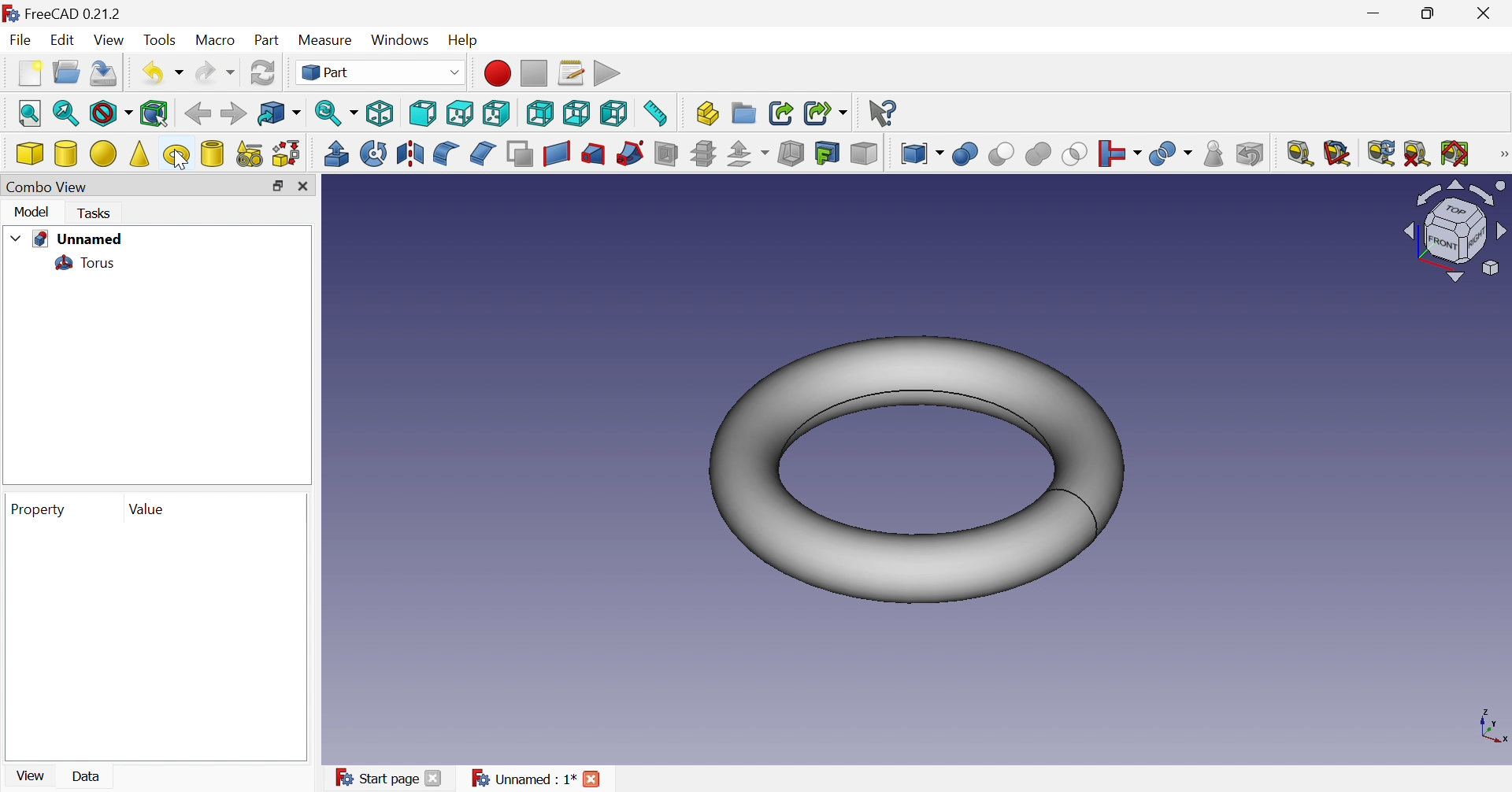  What do you see at coordinates (97, 214) in the screenshot?
I see `Tasks` at bounding box center [97, 214].